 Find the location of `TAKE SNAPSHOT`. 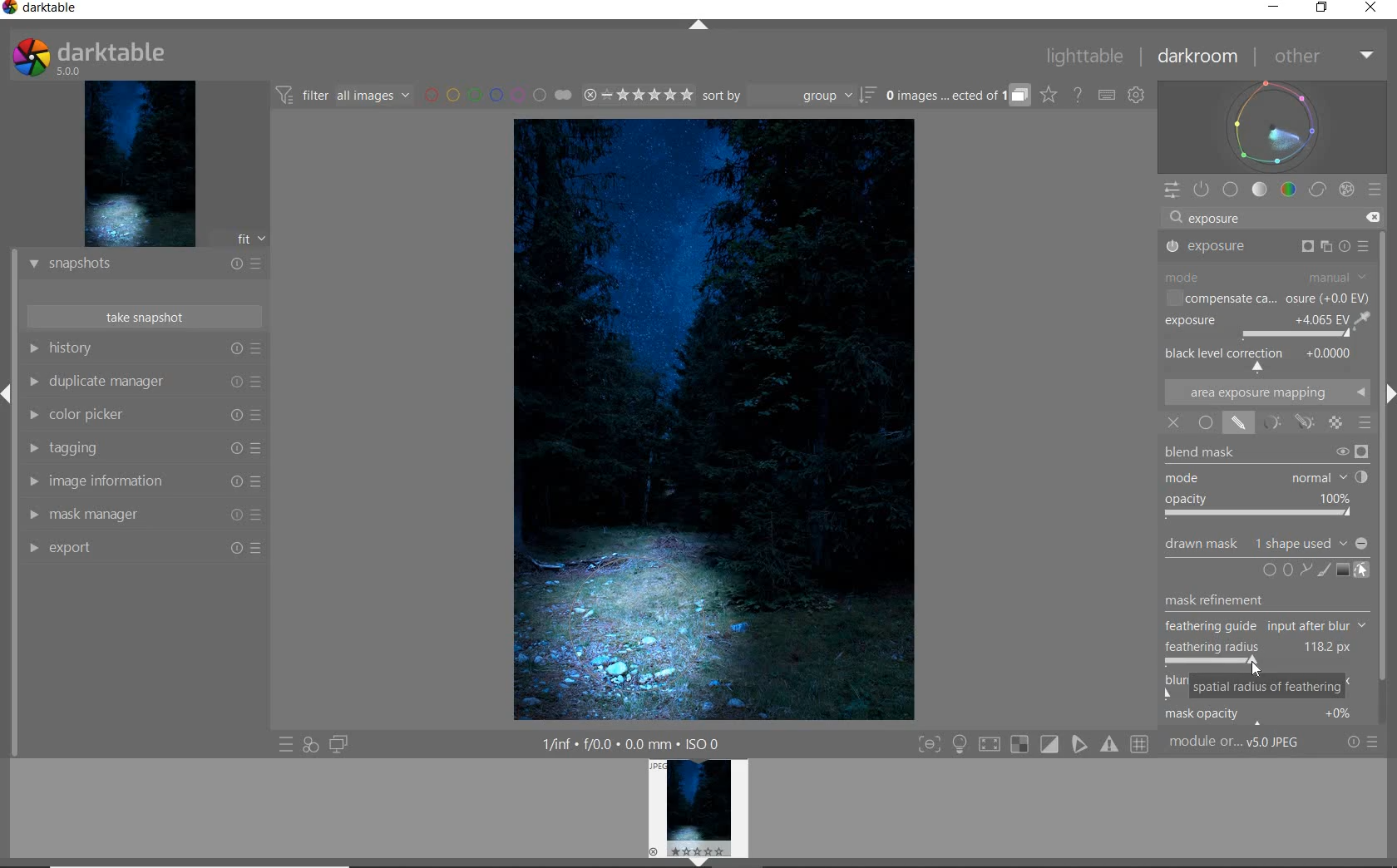

TAKE SNAPSHOT is located at coordinates (146, 318).